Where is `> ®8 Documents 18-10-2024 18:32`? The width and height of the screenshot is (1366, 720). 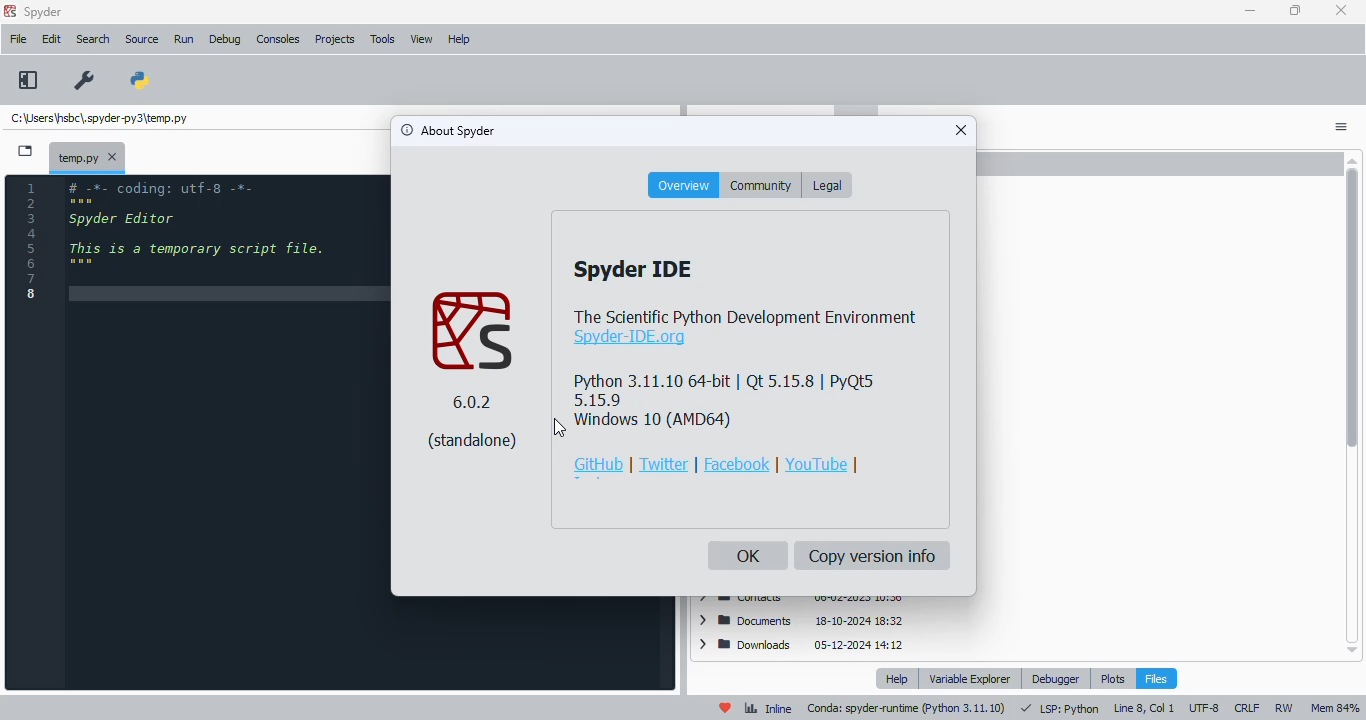 > ®8 Documents 18-10-2024 18:32 is located at coordinates (800, 620).